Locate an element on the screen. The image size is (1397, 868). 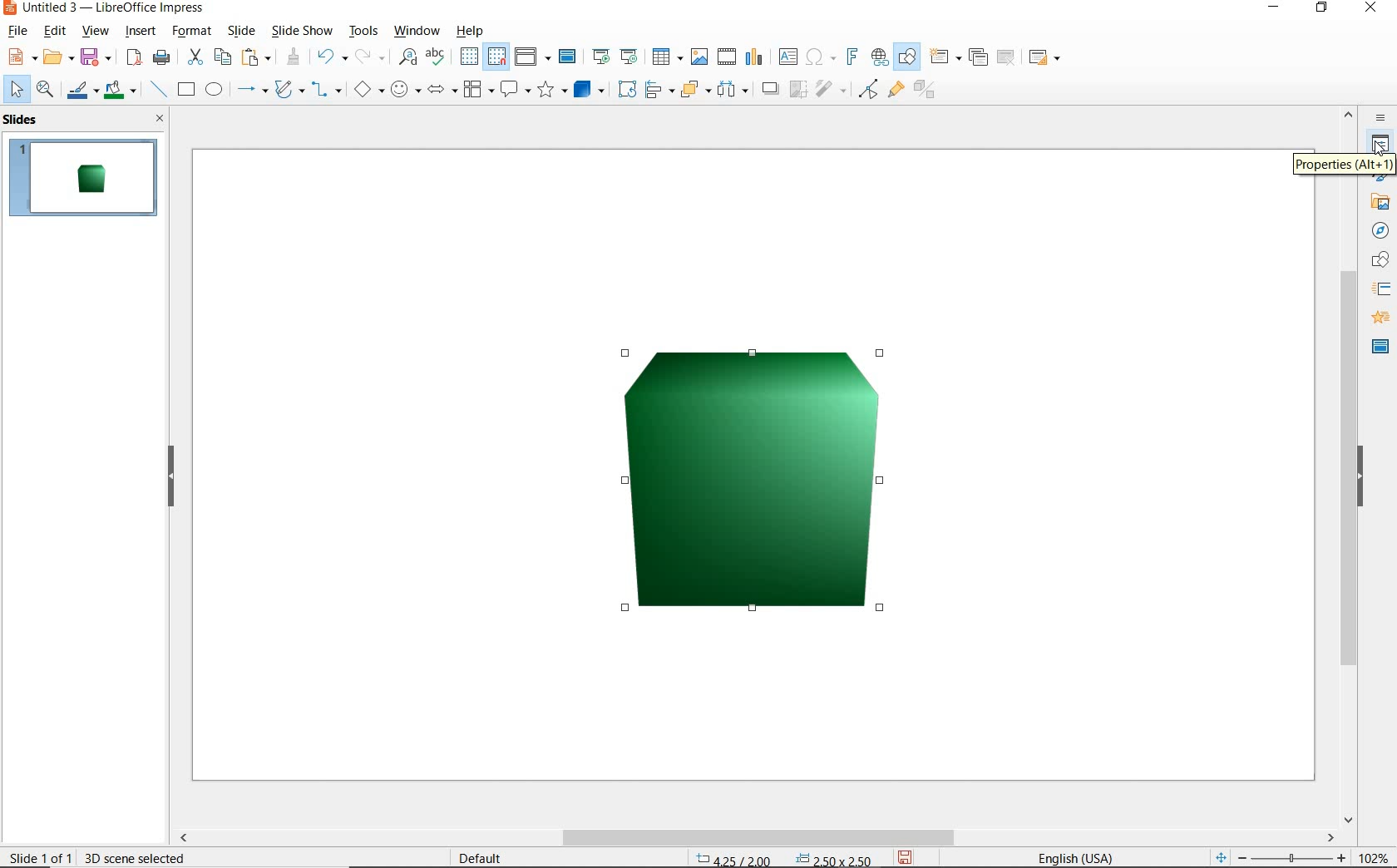
ARRANGE is located at coordinates (695, 90).